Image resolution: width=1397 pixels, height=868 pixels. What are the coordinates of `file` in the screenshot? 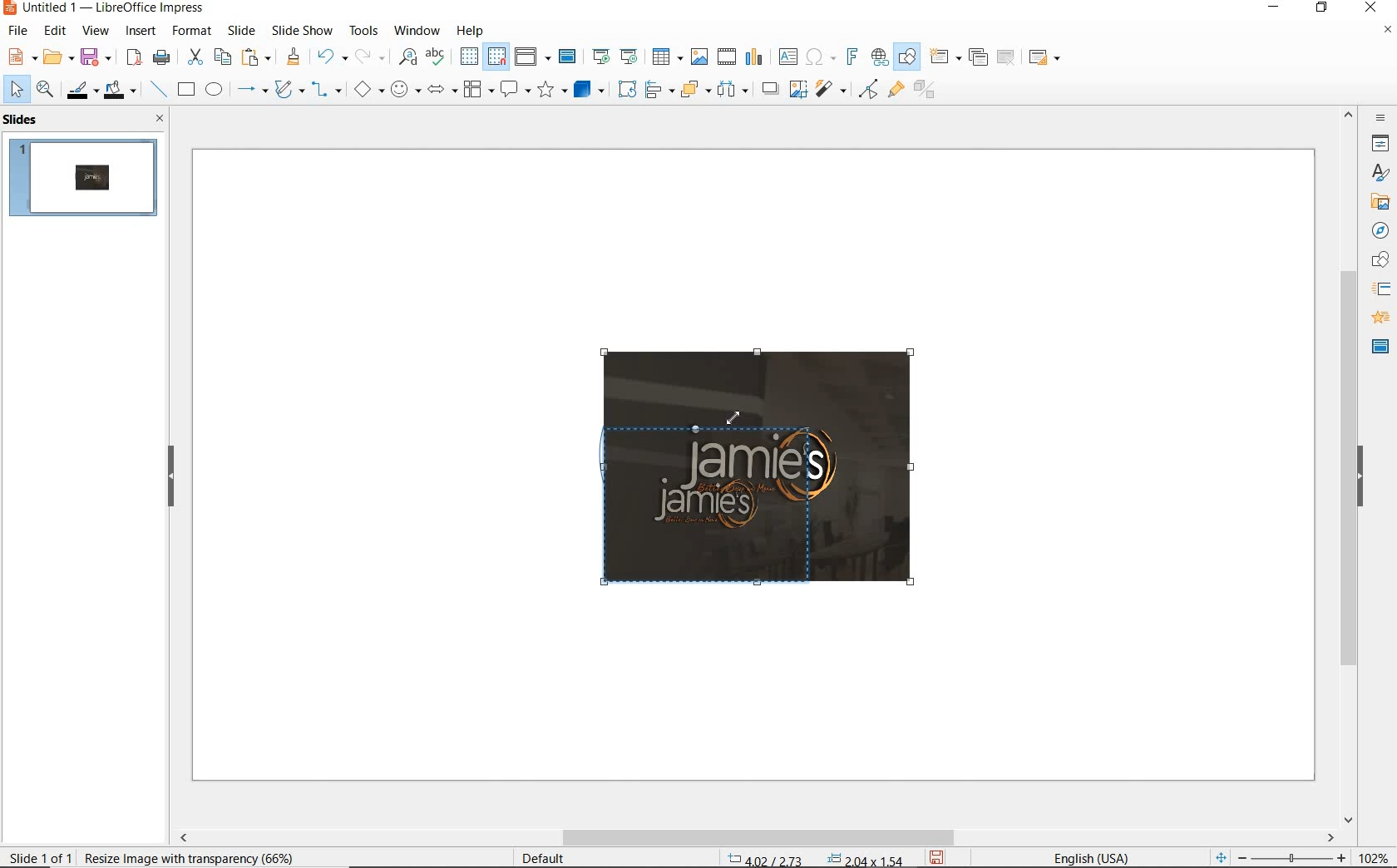 It's located at (19, 31).